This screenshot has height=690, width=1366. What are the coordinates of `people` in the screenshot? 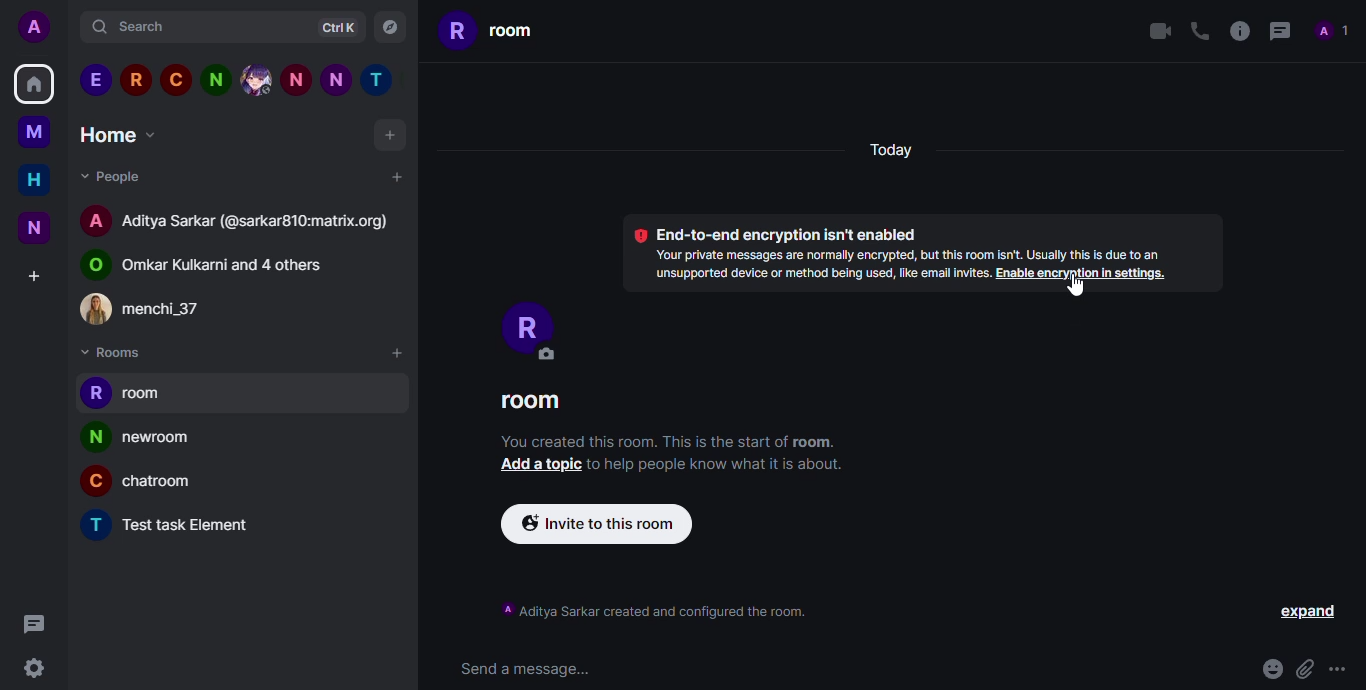 It's located at (111, 175).